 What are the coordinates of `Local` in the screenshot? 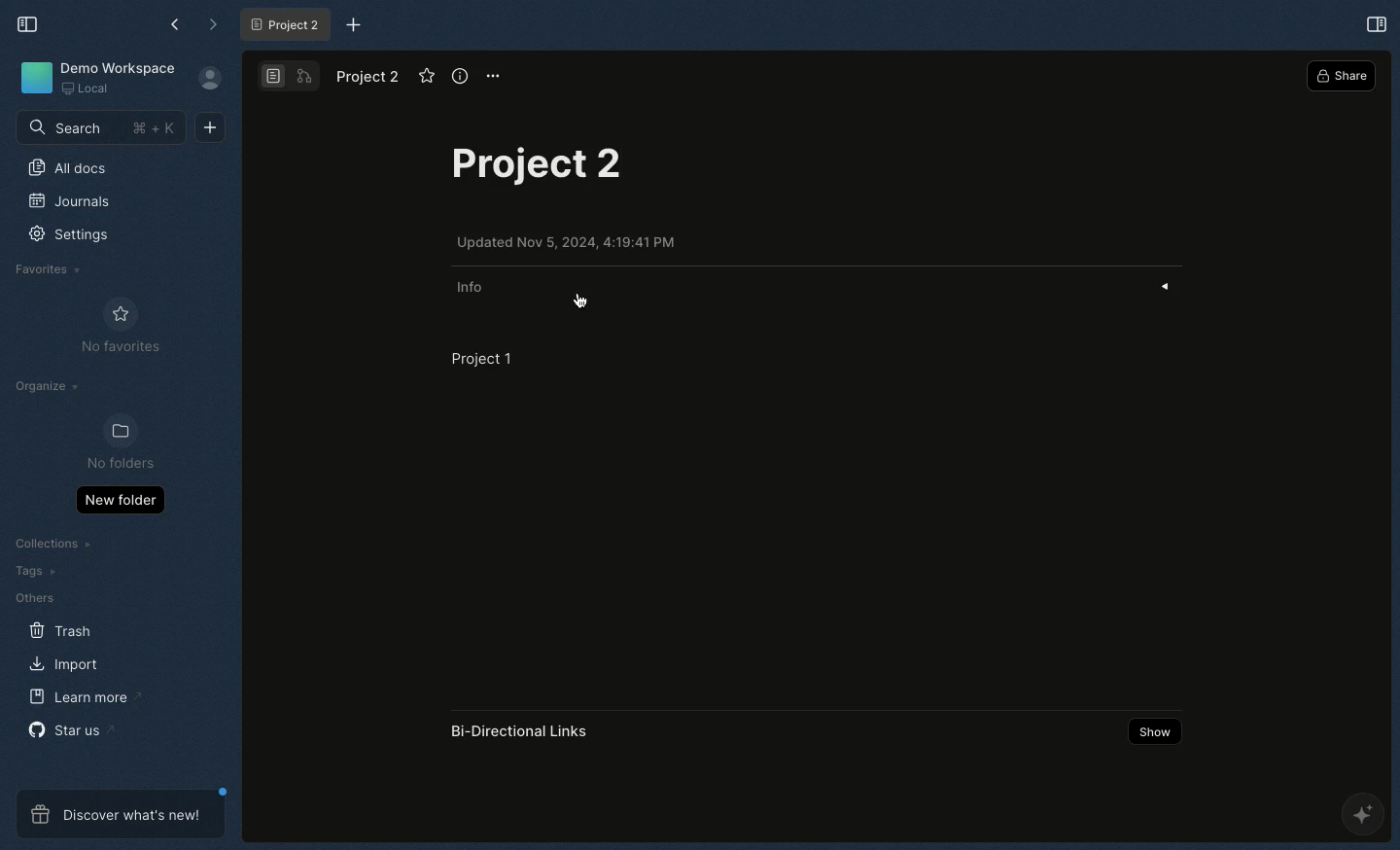 It's located at (88, 89).